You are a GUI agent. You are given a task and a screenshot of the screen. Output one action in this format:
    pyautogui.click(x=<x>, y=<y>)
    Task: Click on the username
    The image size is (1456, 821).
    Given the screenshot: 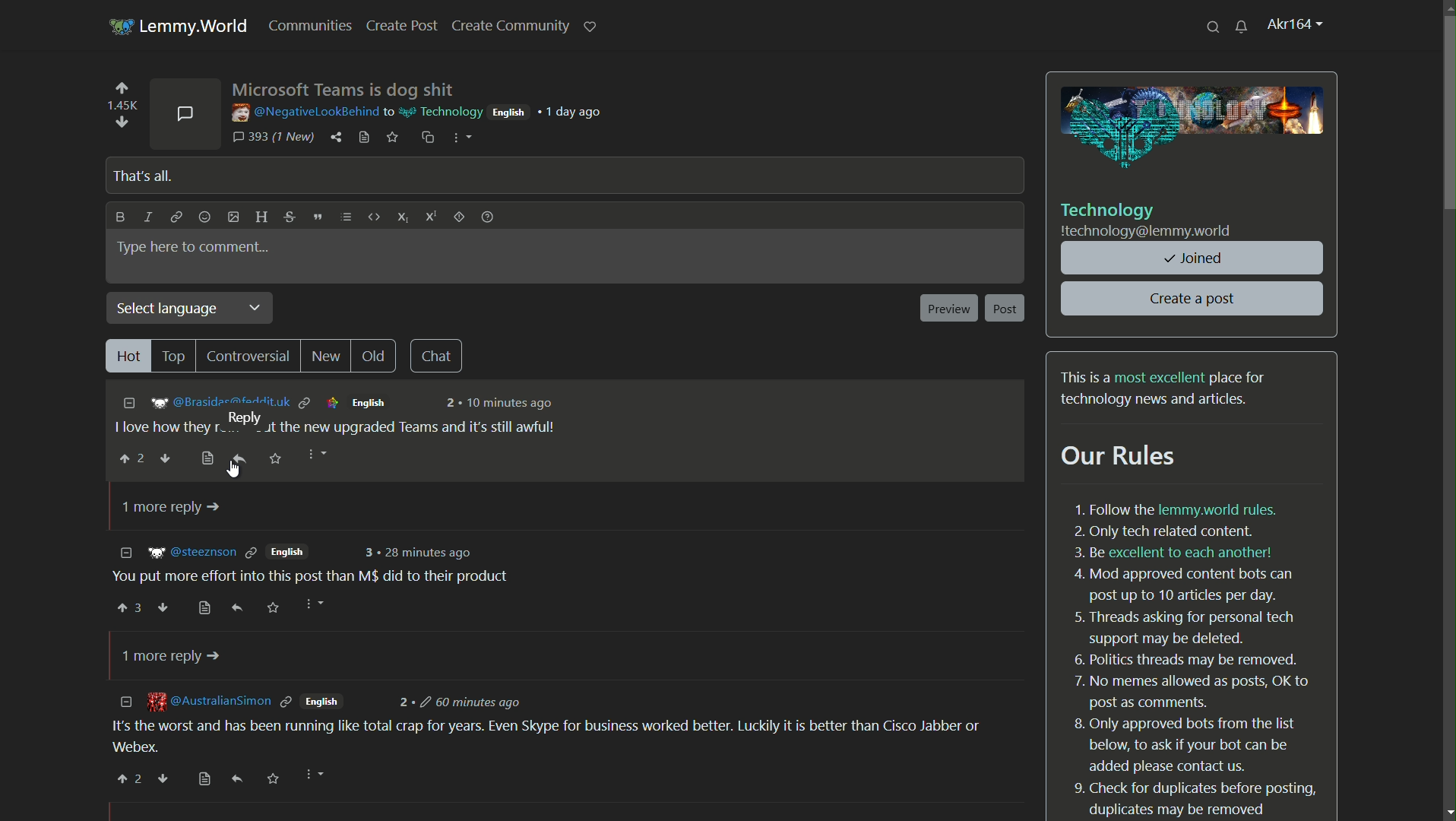 What is the action you would take?
    pyautogui.click(x=302, y=112)
    